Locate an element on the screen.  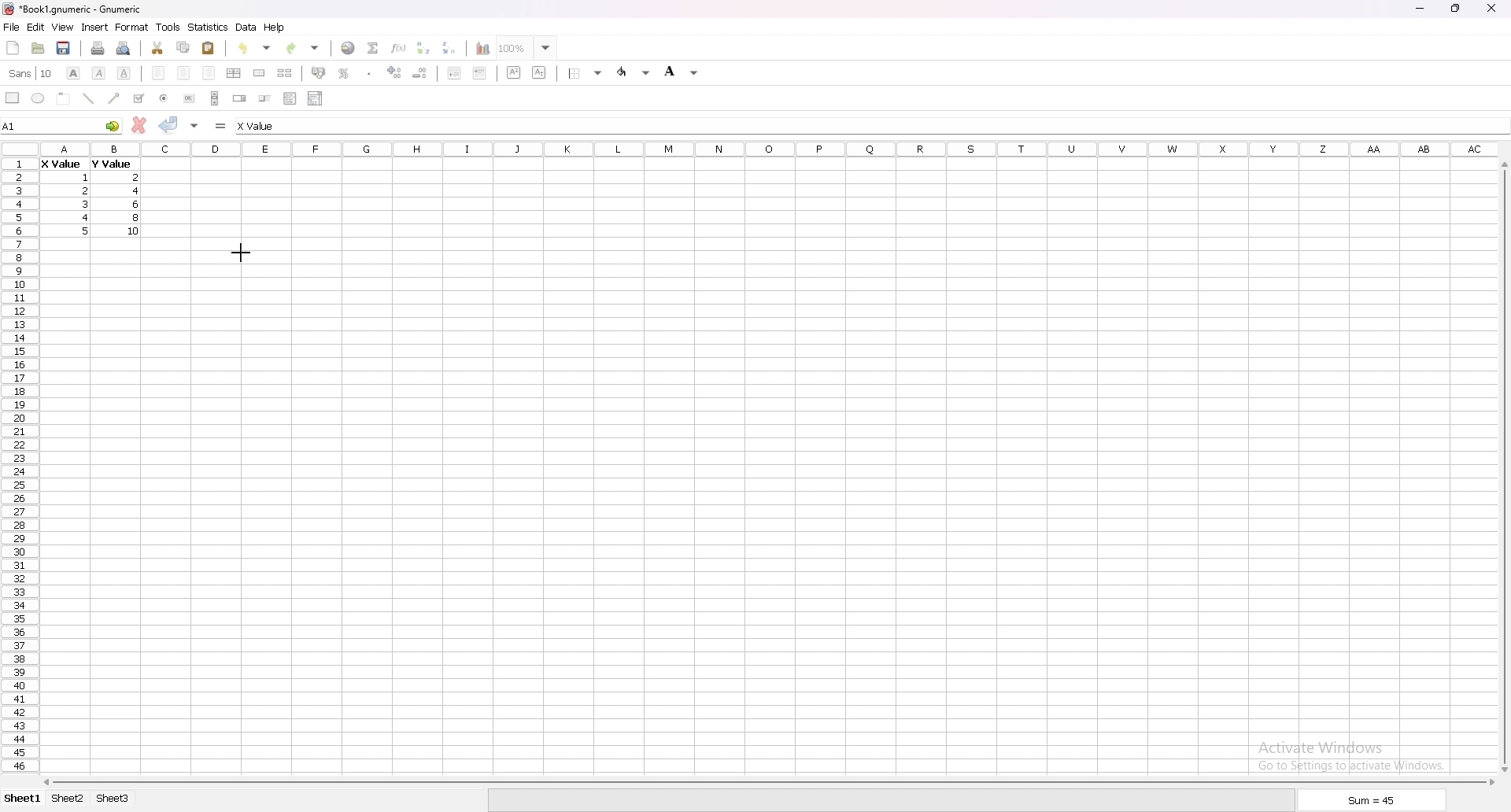
value is located at coordinates (137, 177).